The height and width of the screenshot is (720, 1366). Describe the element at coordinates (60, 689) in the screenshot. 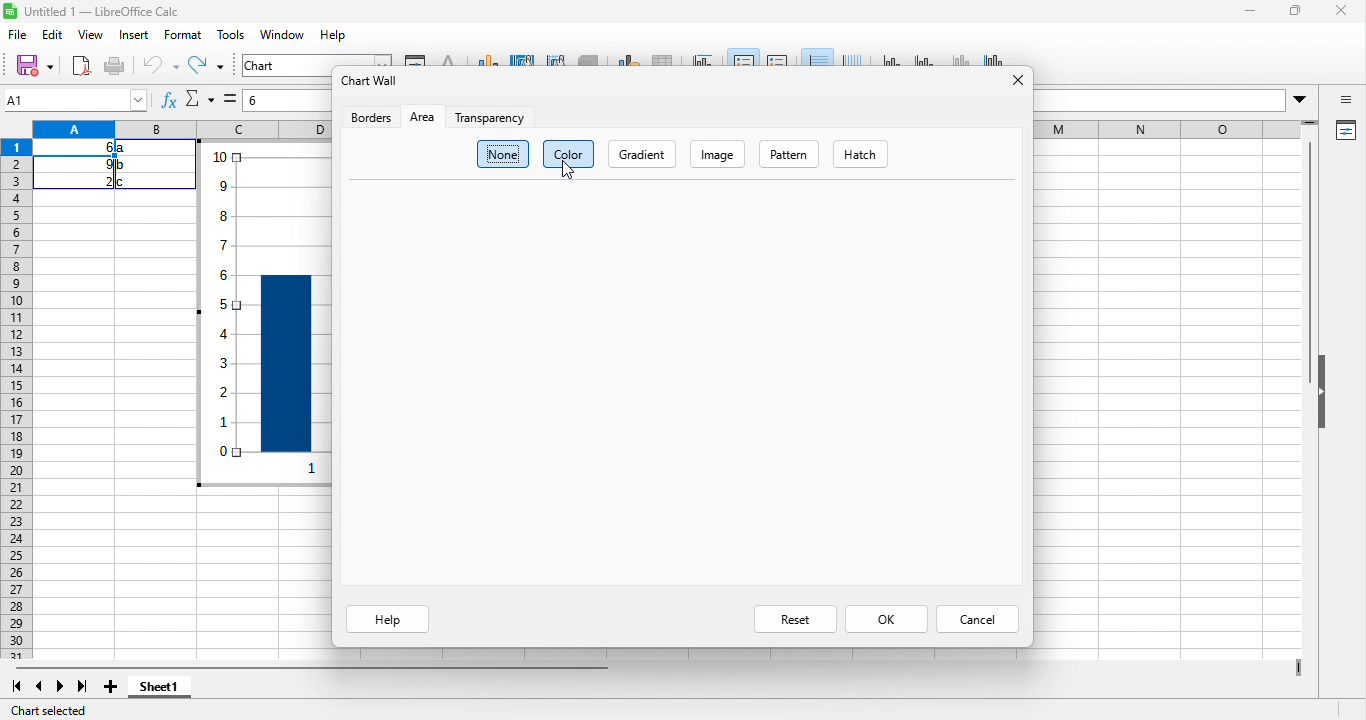

I see `next` at that location.